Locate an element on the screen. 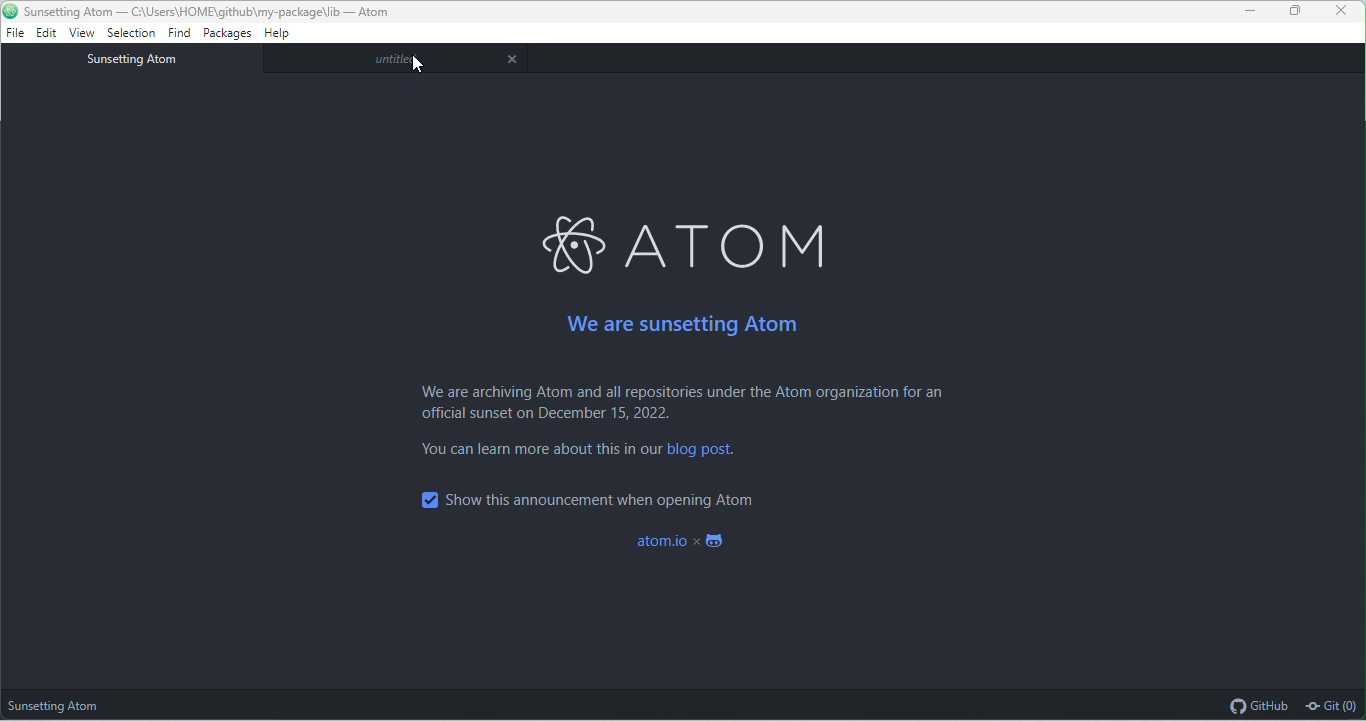 The image size is (1366, 722). close is located at coordinates (1341, 16).